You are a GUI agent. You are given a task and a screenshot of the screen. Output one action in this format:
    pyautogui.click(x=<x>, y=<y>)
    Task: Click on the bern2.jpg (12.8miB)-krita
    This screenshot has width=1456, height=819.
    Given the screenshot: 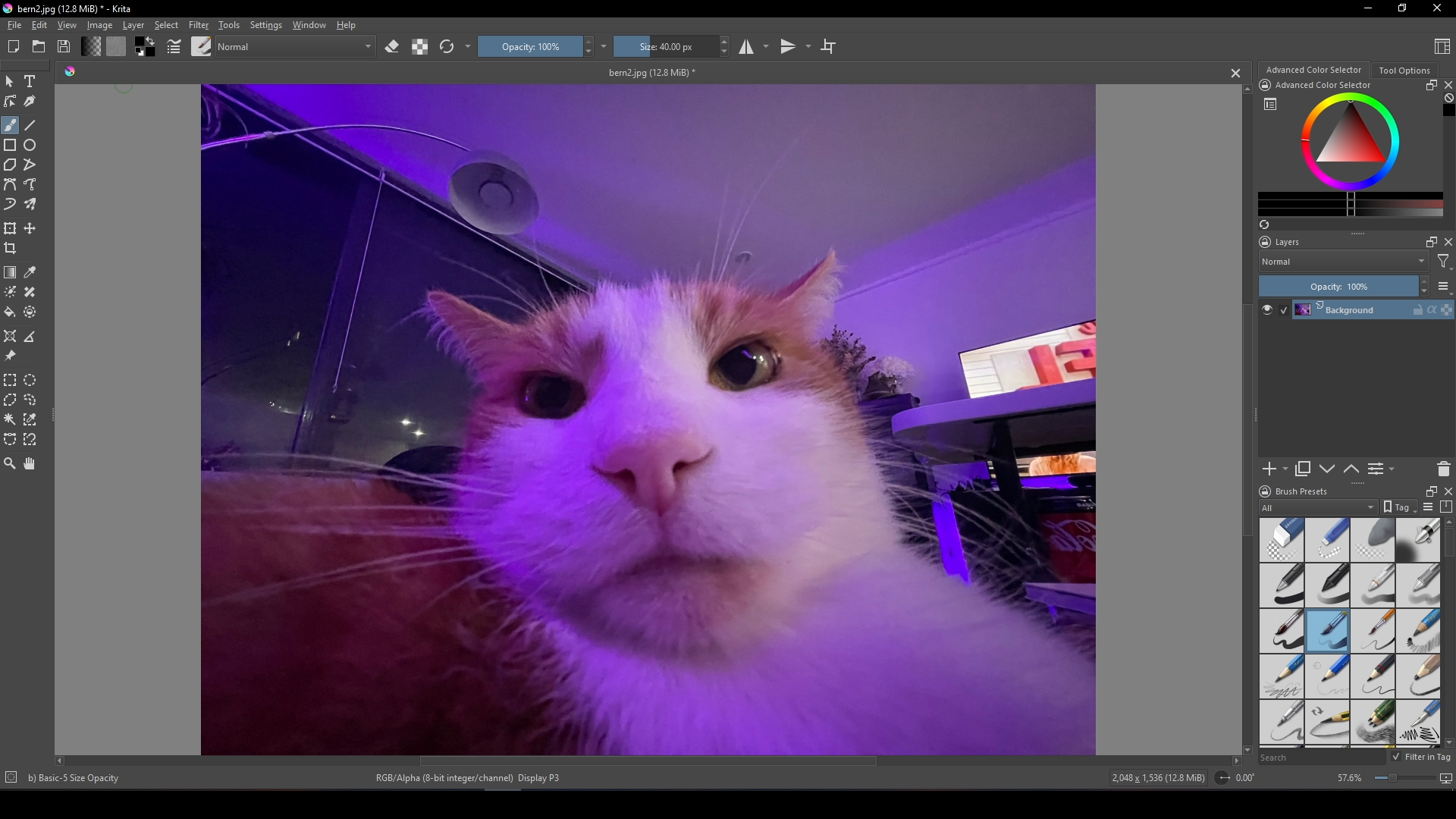 What is the action you would take?
    pyautogui.click(x=74, y=9)
    